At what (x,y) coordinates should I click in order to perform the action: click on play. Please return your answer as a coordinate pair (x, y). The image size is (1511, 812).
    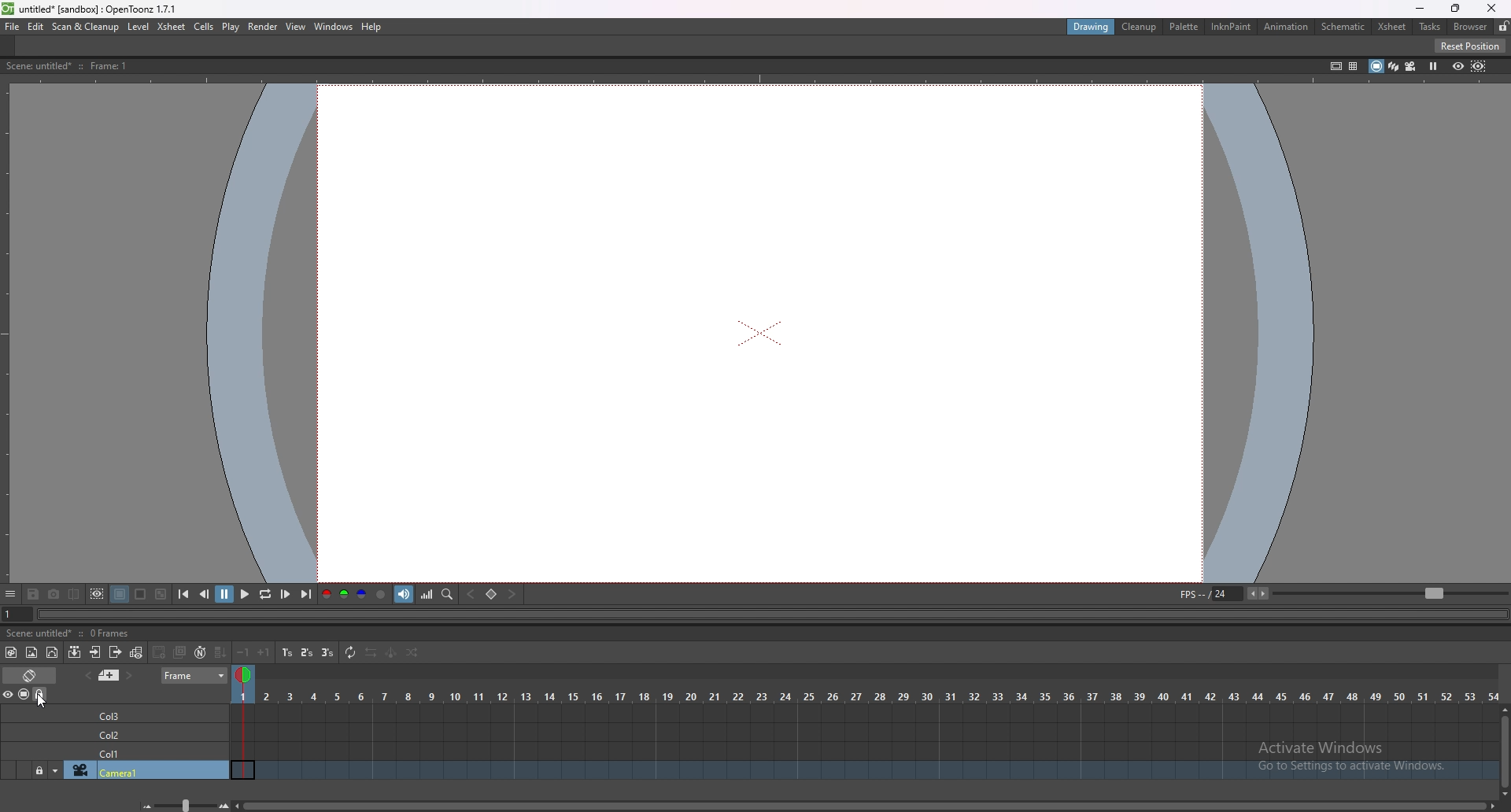
    Looking at the image, I should click on (231, 28).